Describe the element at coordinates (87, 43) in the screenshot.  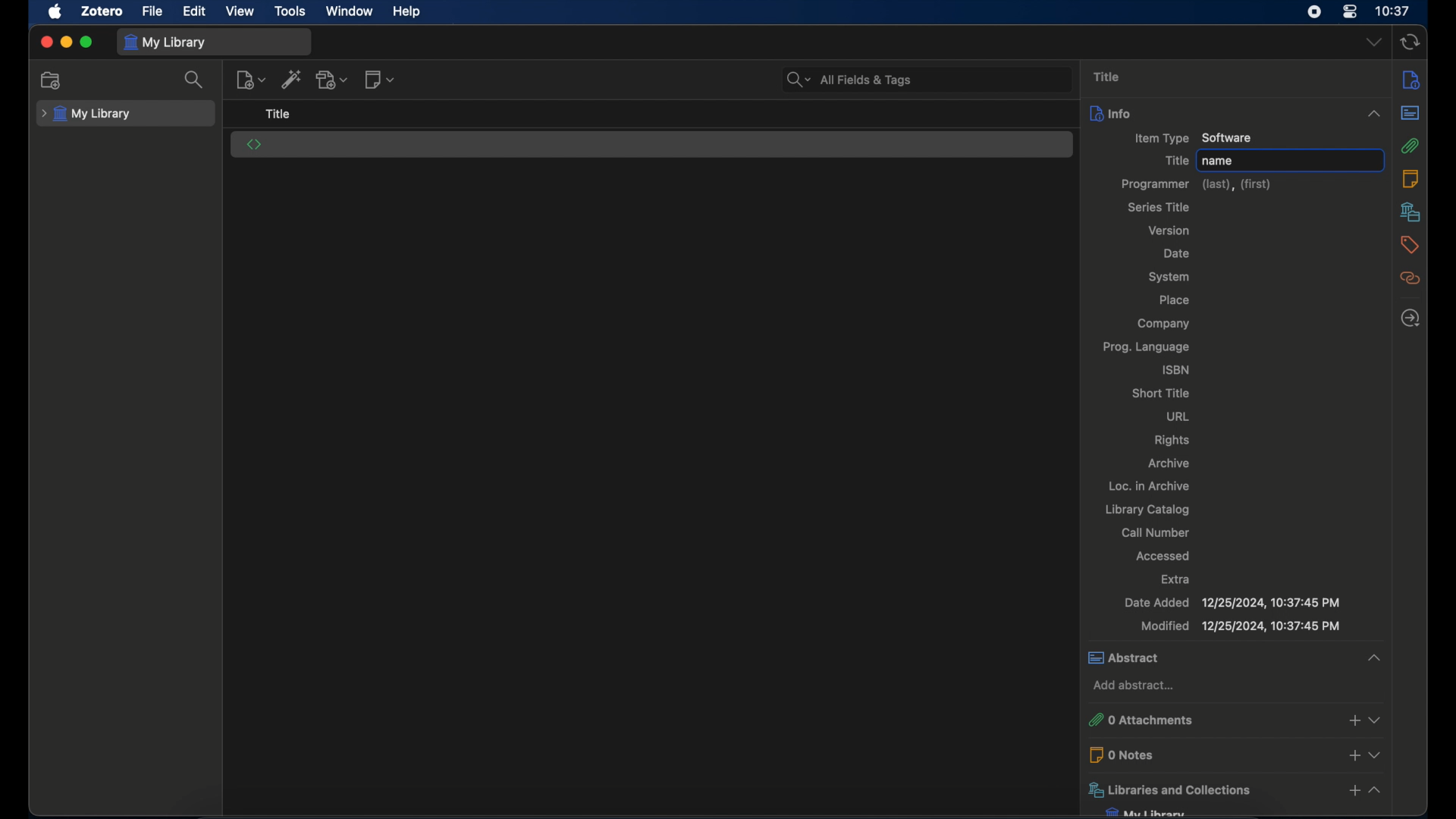
I see `maximize` at that location.